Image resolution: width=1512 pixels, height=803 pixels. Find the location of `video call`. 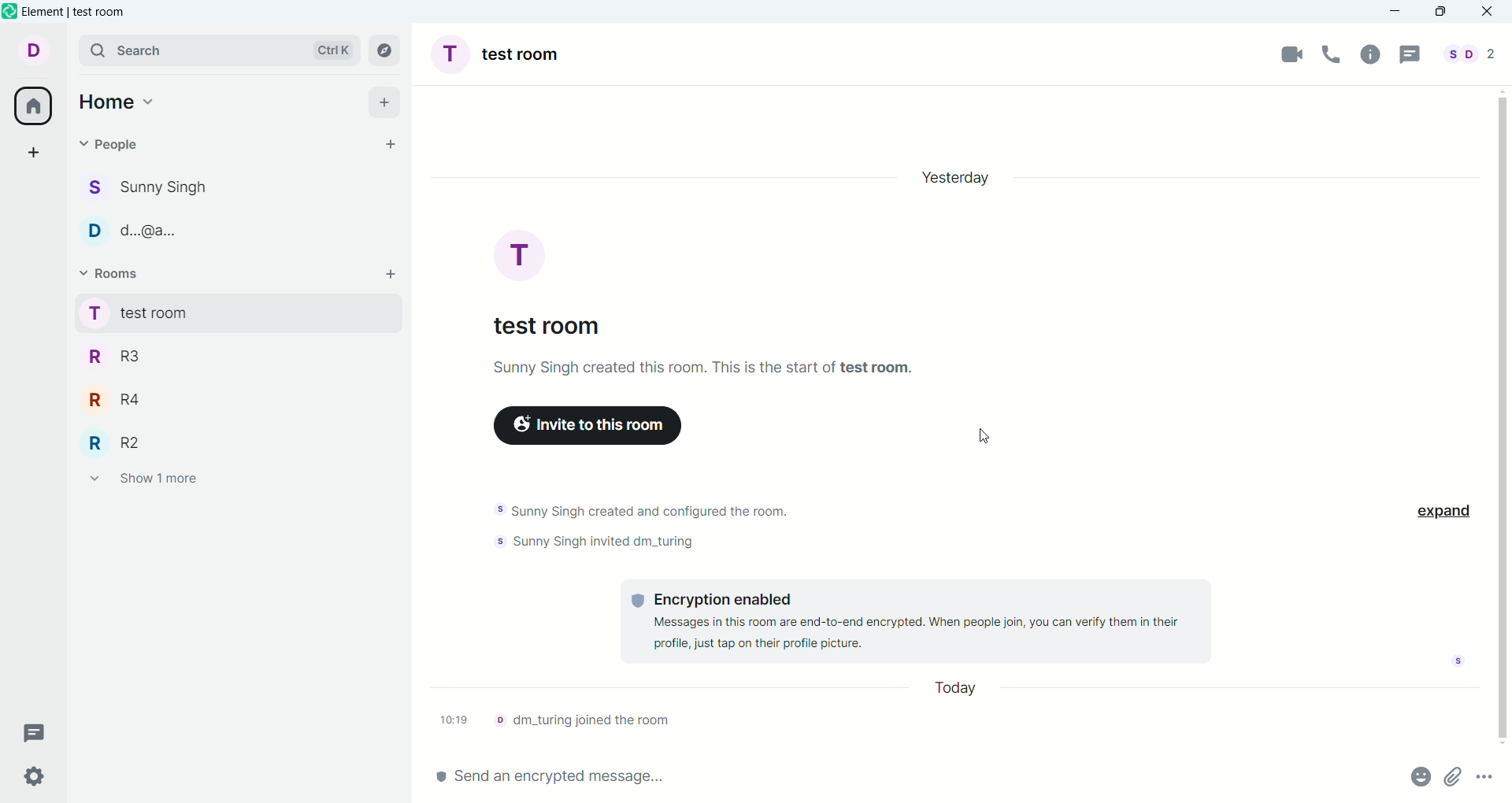

video call is located at coordinates (1283, 56).